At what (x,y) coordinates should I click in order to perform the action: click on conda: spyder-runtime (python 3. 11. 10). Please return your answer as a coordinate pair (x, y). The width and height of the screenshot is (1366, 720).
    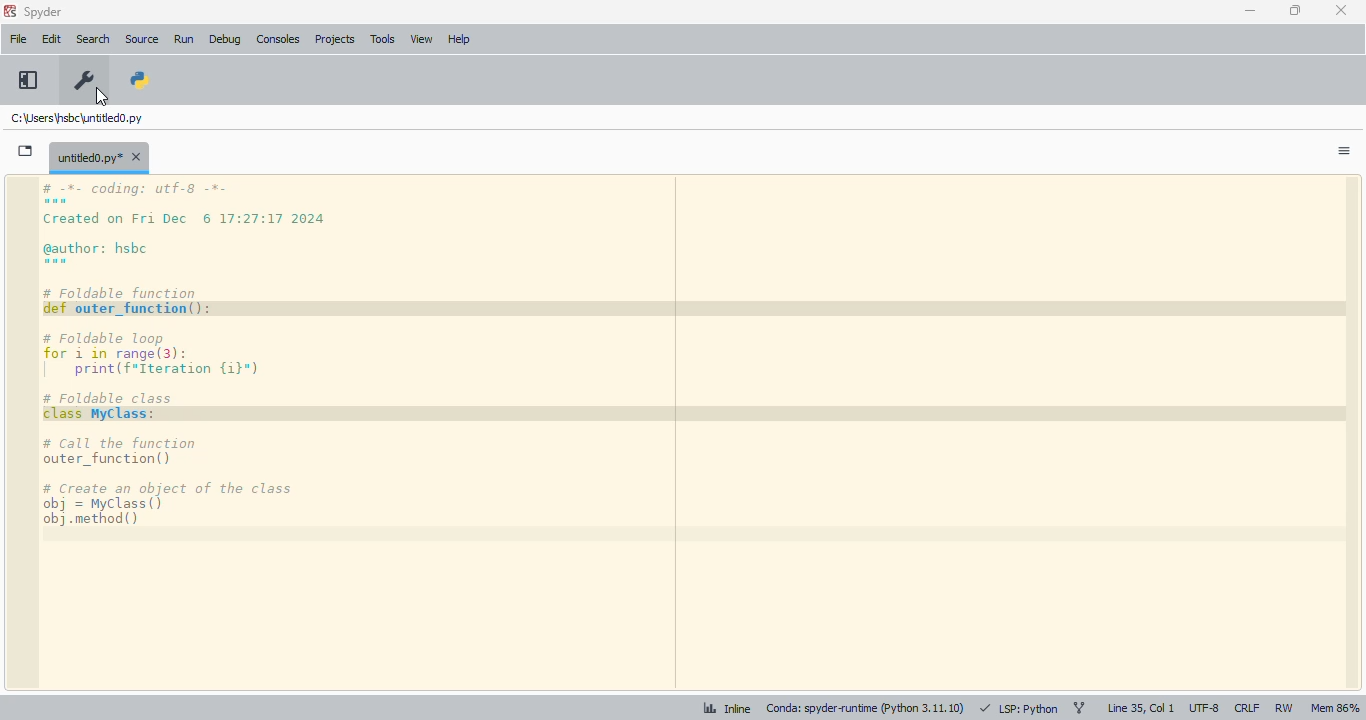
    Looking at the image, I should click on (865, 707).